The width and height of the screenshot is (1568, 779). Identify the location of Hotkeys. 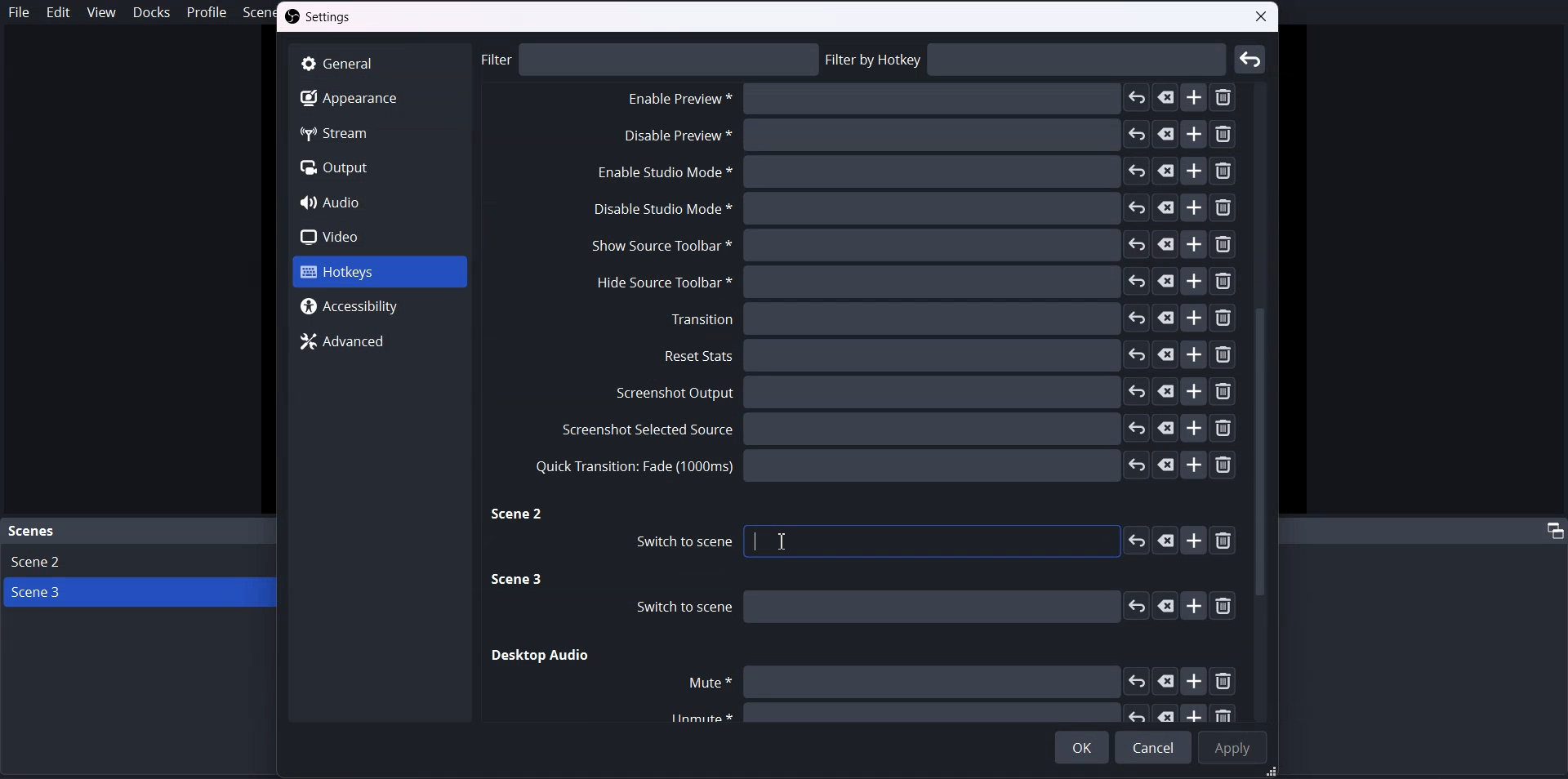
(377, 273).